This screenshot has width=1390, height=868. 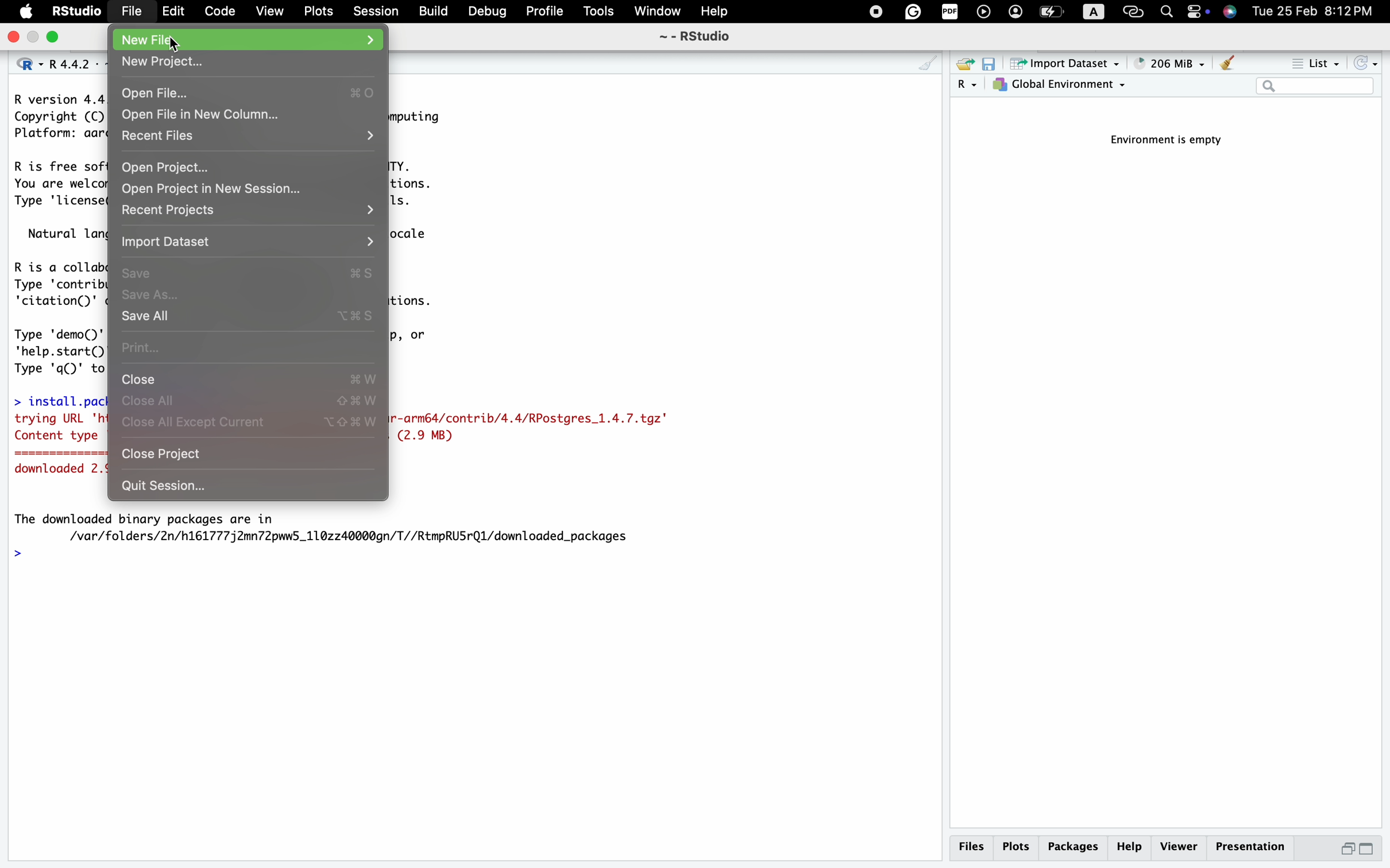 I want to click on recent projects, so click(x=247, y=210).